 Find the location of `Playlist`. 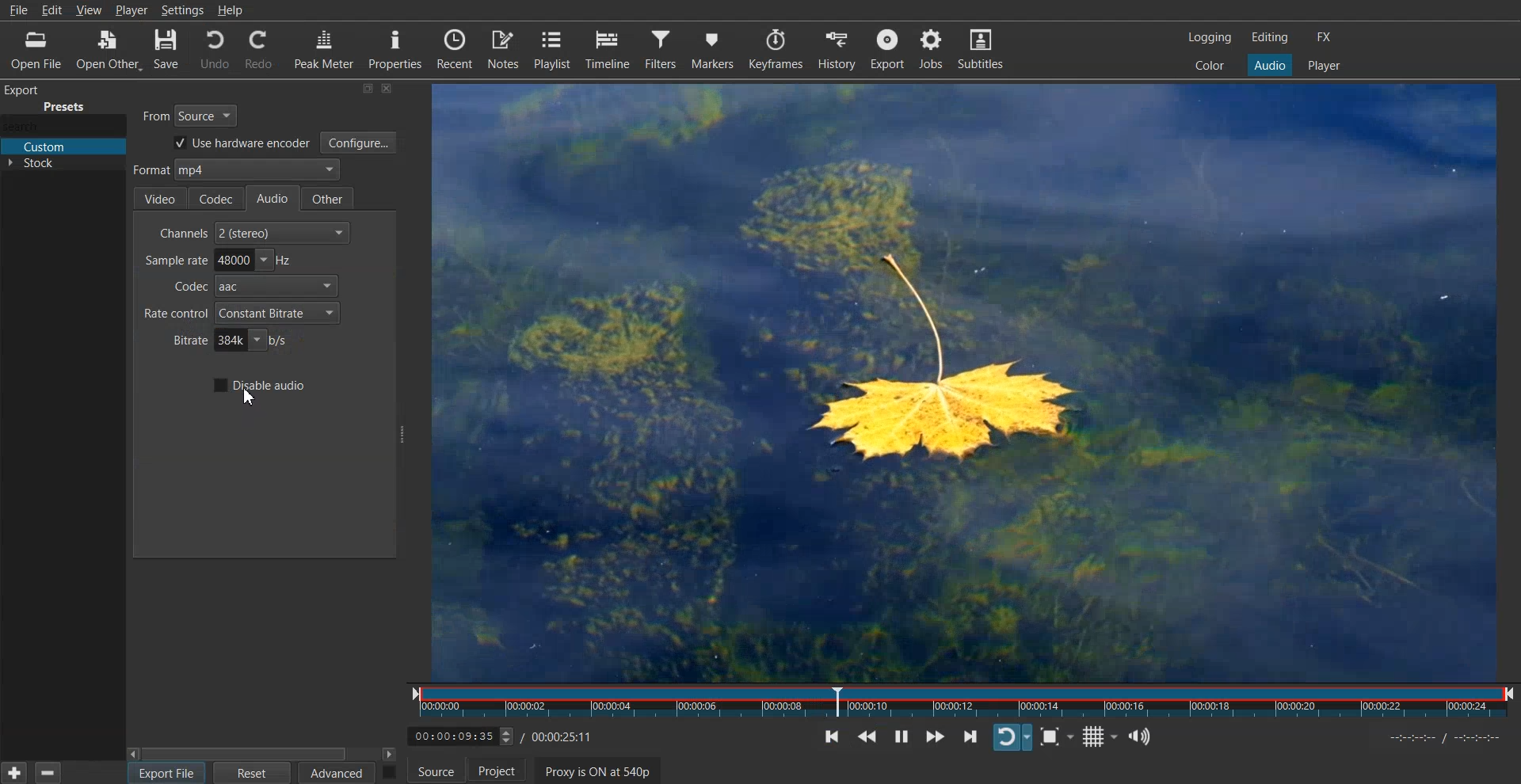

Playlist is located at coordinates (554, 49).